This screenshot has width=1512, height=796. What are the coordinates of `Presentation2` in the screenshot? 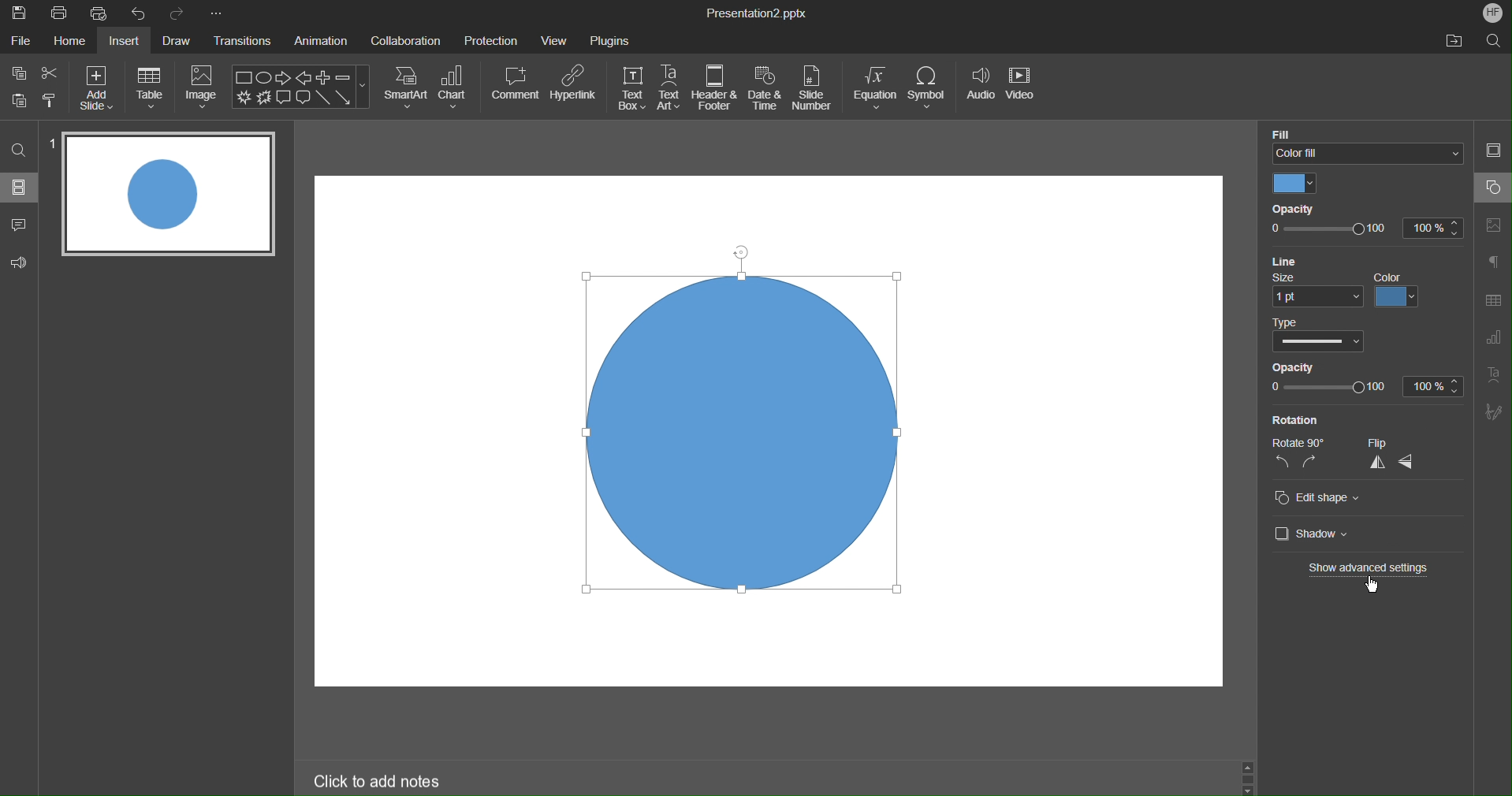 It's located at (755, 15).